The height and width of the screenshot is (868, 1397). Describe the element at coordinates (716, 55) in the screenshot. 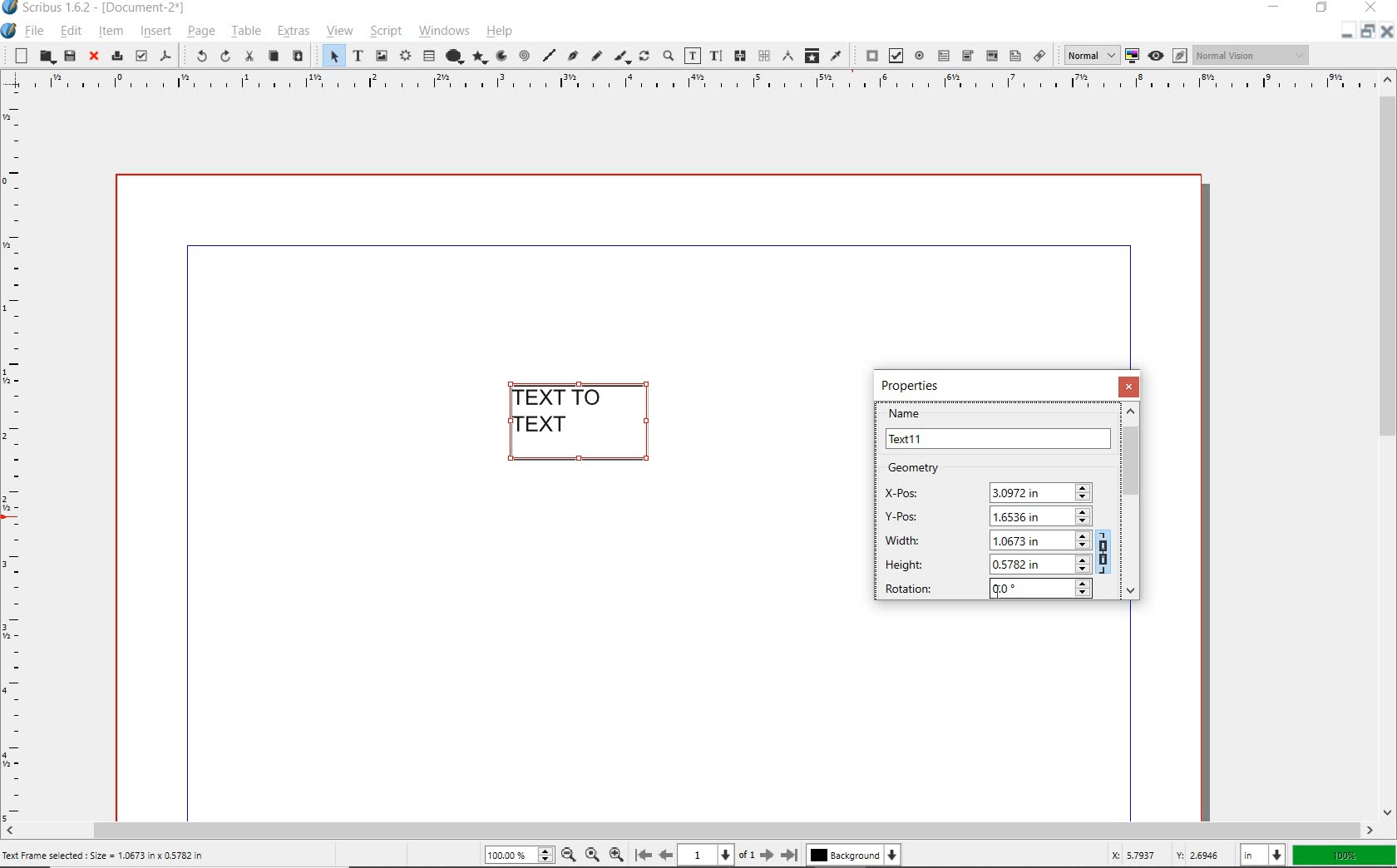

I see `edit text with story editor` at that location.